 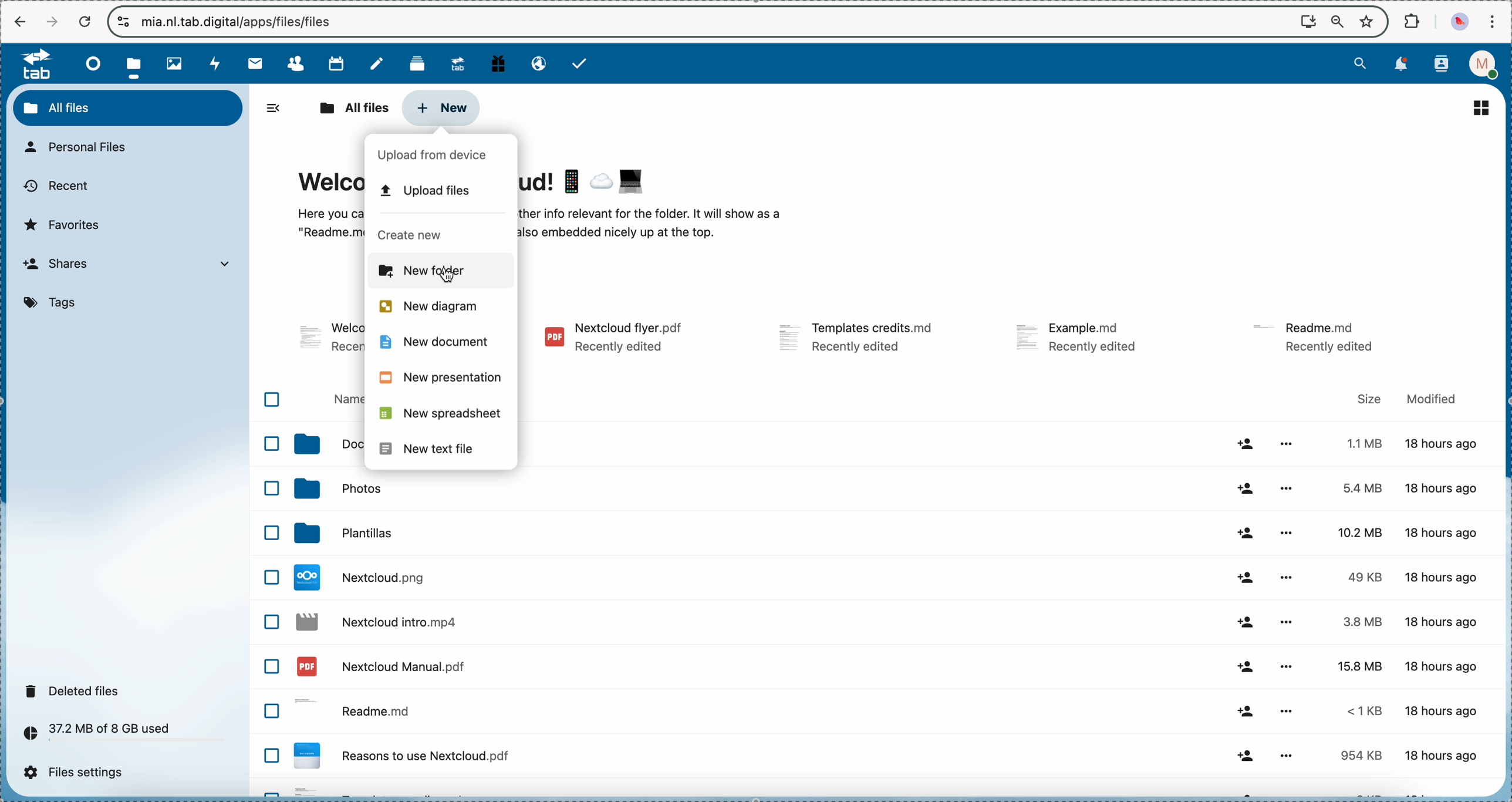 I want to click on size, so click(x=1369, y=399).